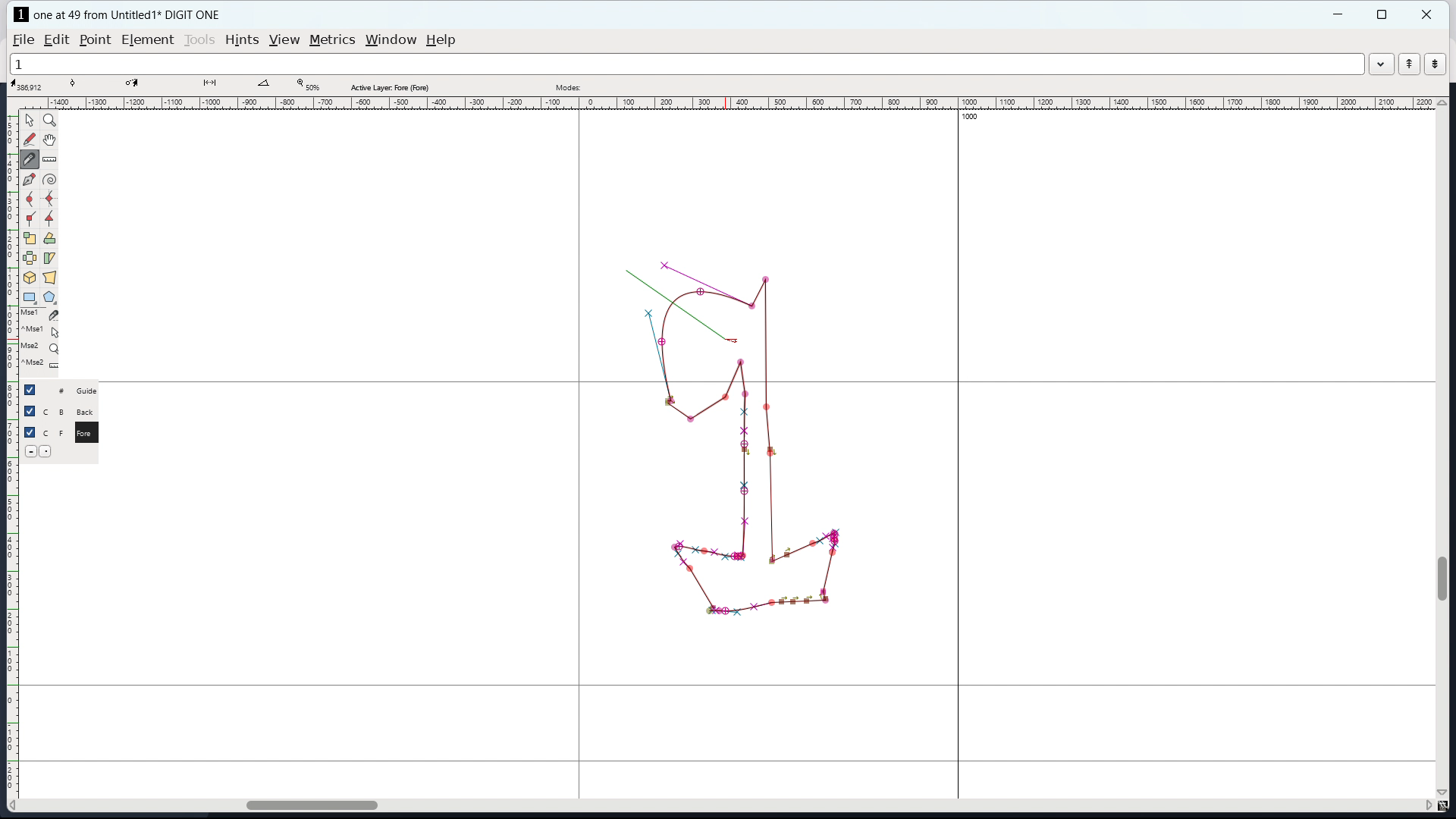  I want to click on rotate selection in 3D and project back to plane, so click(30, 278).